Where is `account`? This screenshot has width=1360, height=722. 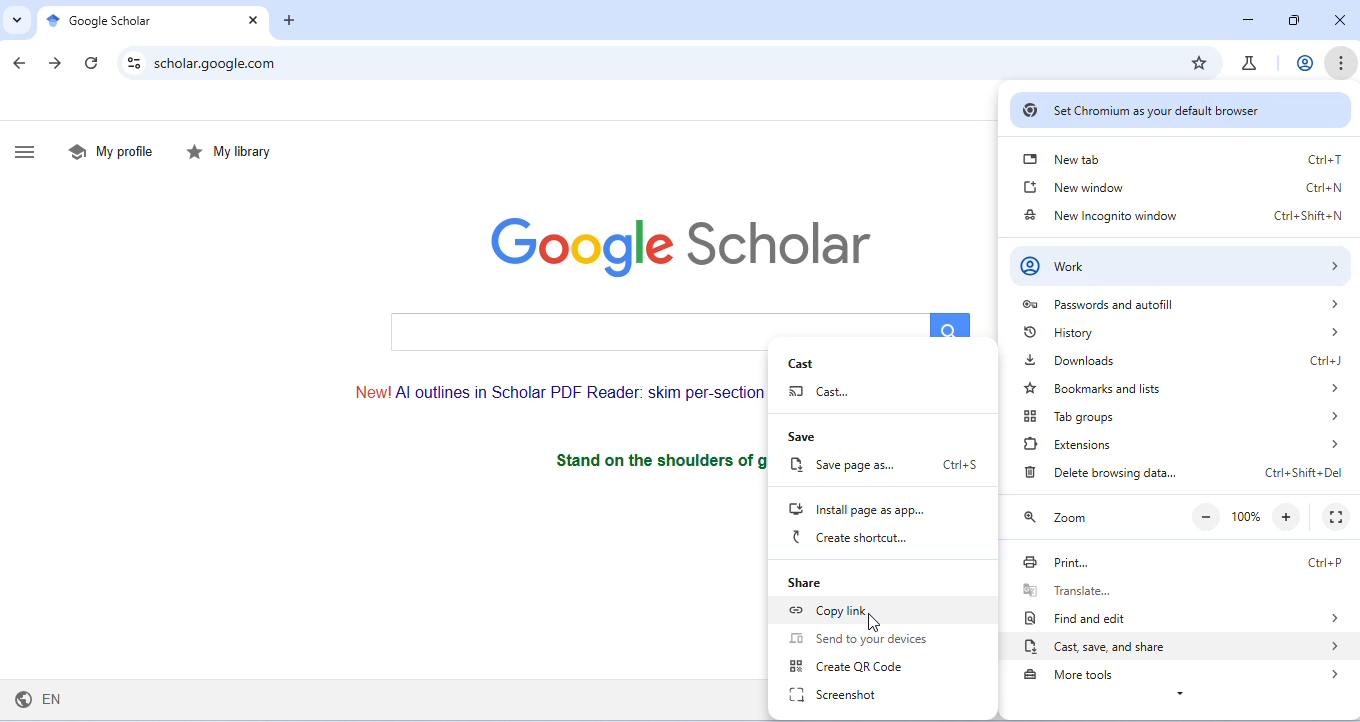 account is located at coordinates (1302, 61).